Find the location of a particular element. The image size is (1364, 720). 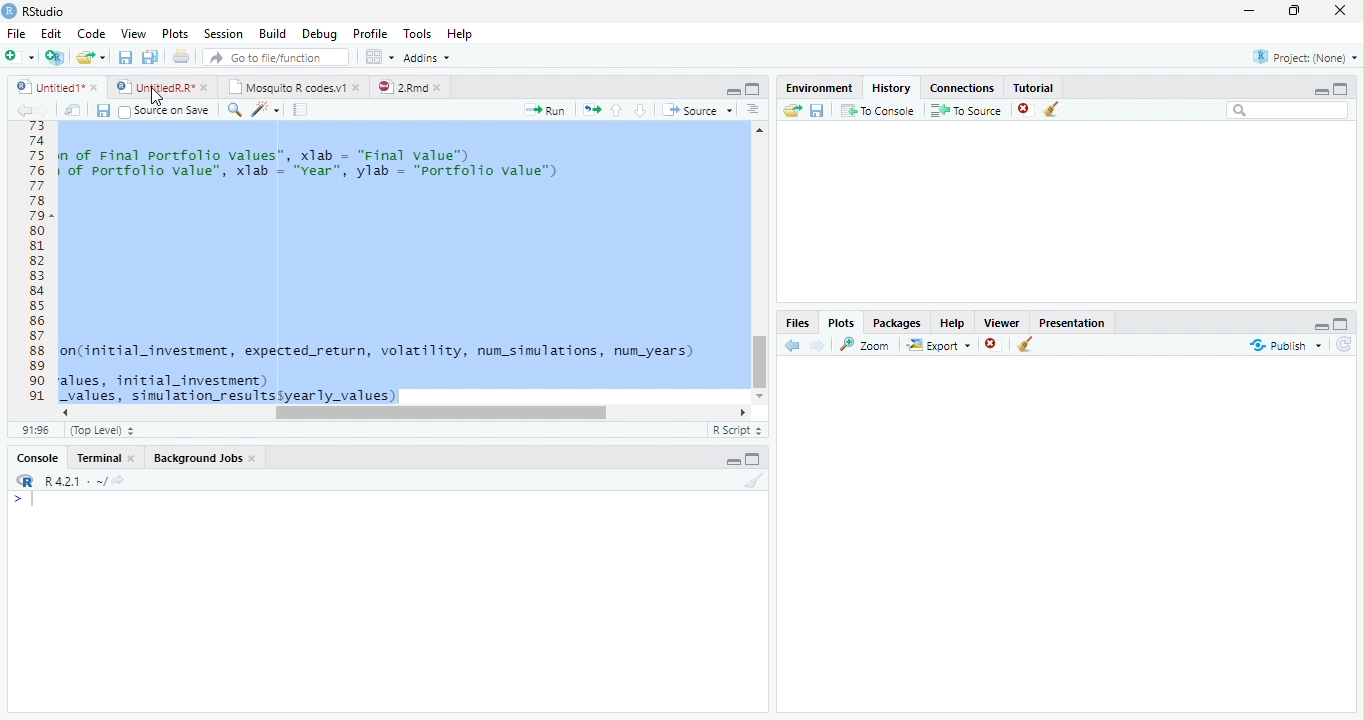

Source on save is located at coordinates (166, 111).